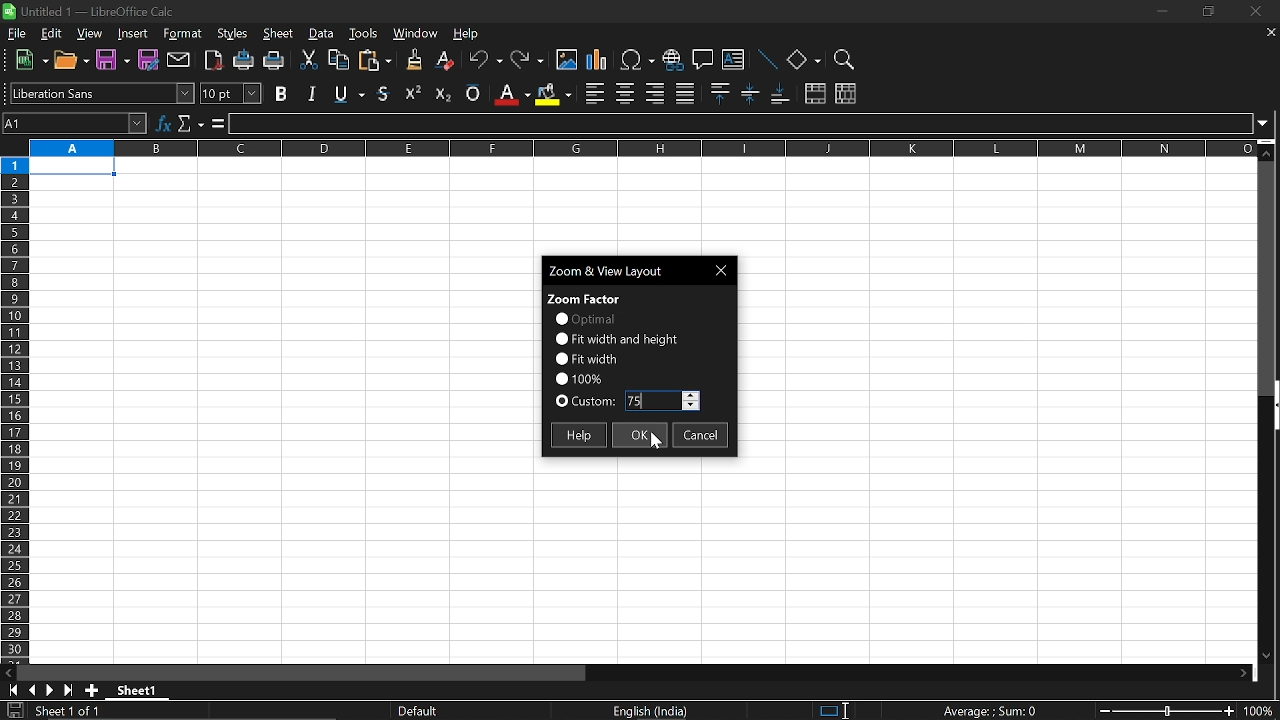 The width and height of the screenshot is (1280, 720). What do you see at coordinates (97, 10) in the screenshot?
I see `Current window` at bounding box center [97, 10].